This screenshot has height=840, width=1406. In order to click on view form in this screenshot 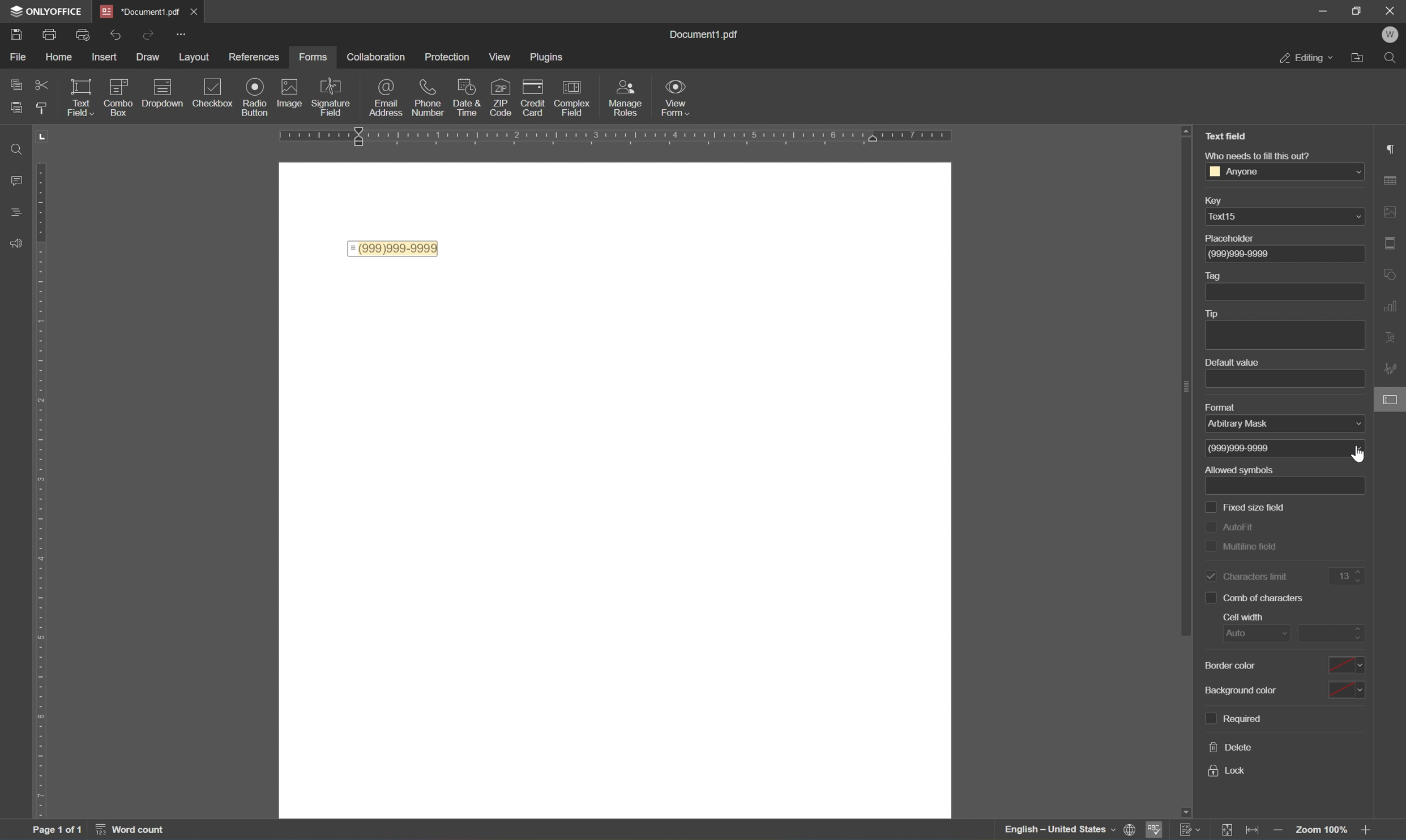, I will do `click(676, 96)`.